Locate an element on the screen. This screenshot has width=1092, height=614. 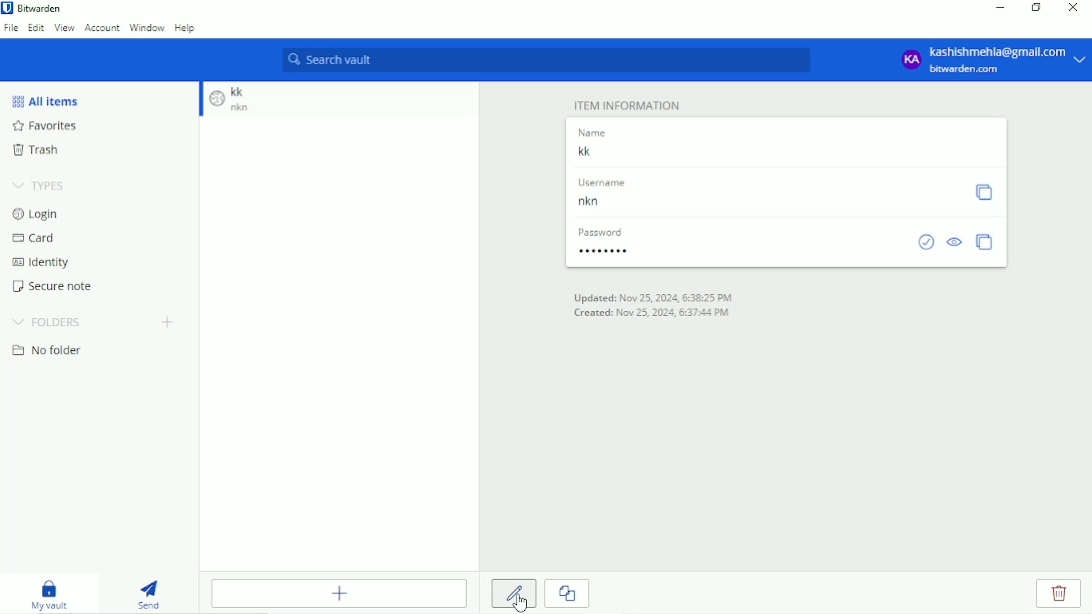
Identity is located at coordinates (40, 262).